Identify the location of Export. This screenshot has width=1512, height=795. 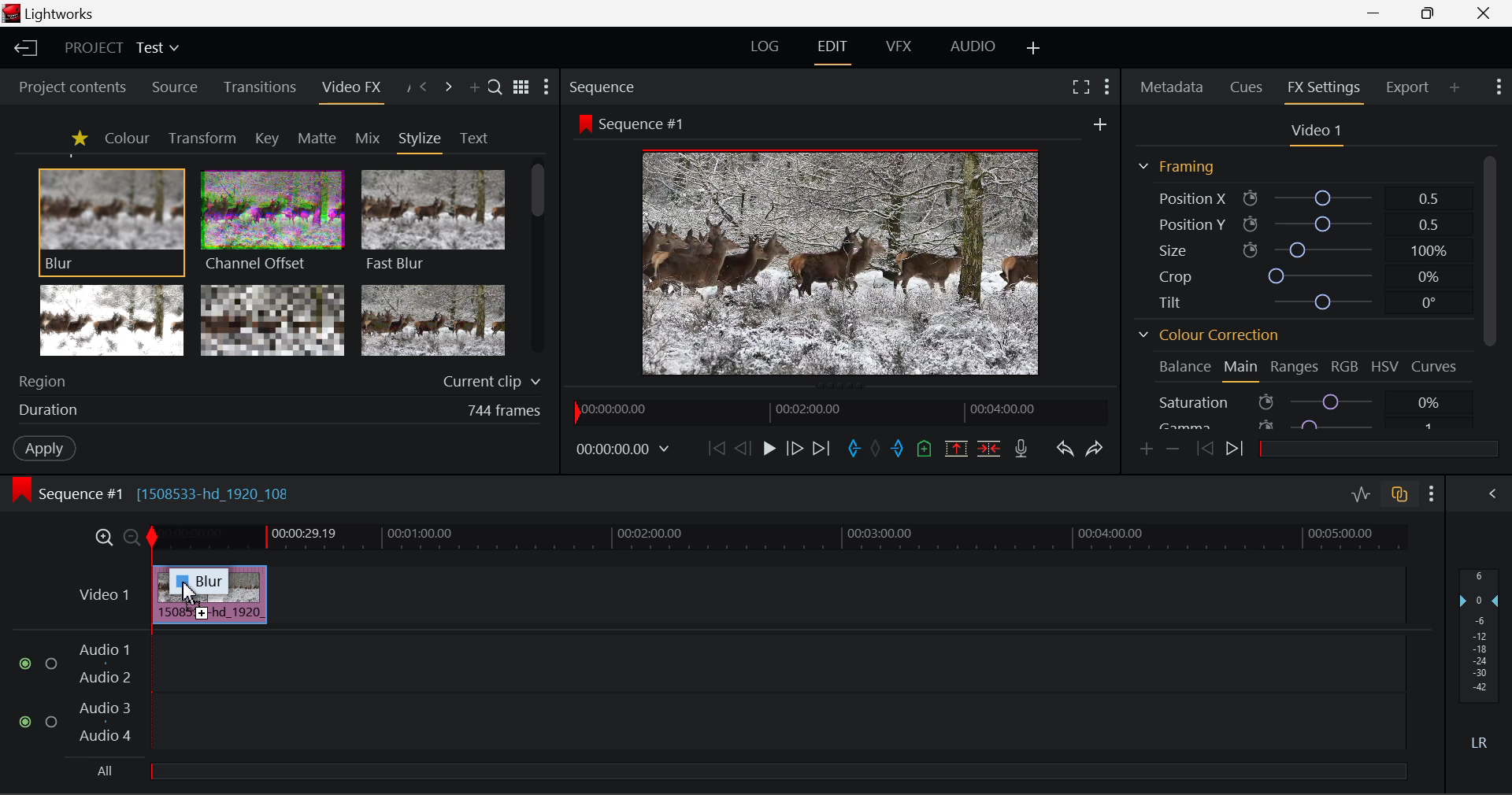
(1407, 84).